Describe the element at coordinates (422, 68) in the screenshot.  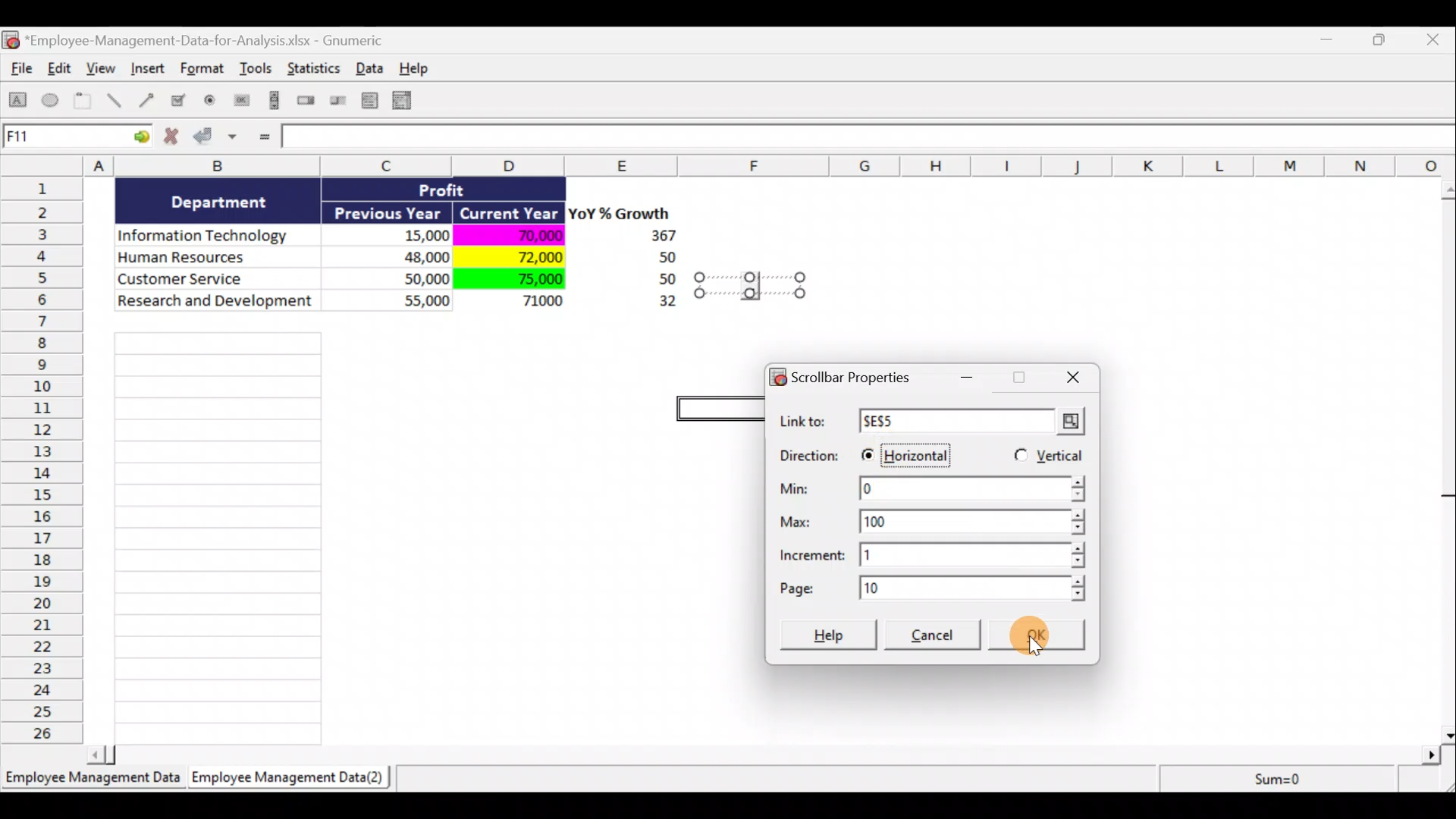
I see `Help` at that location.